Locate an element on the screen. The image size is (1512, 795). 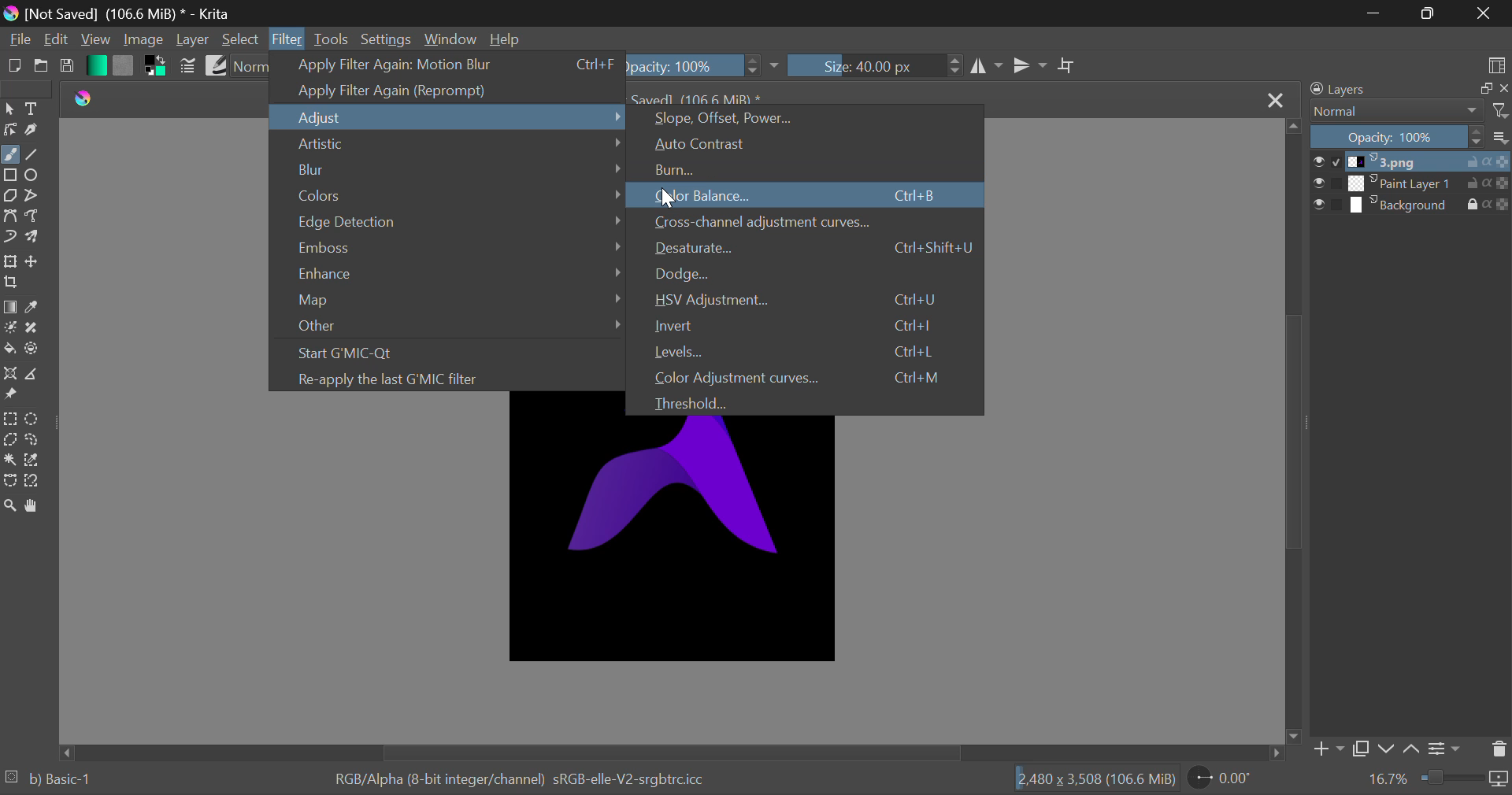
Gradient Fill is located at coordinates (10, 307).